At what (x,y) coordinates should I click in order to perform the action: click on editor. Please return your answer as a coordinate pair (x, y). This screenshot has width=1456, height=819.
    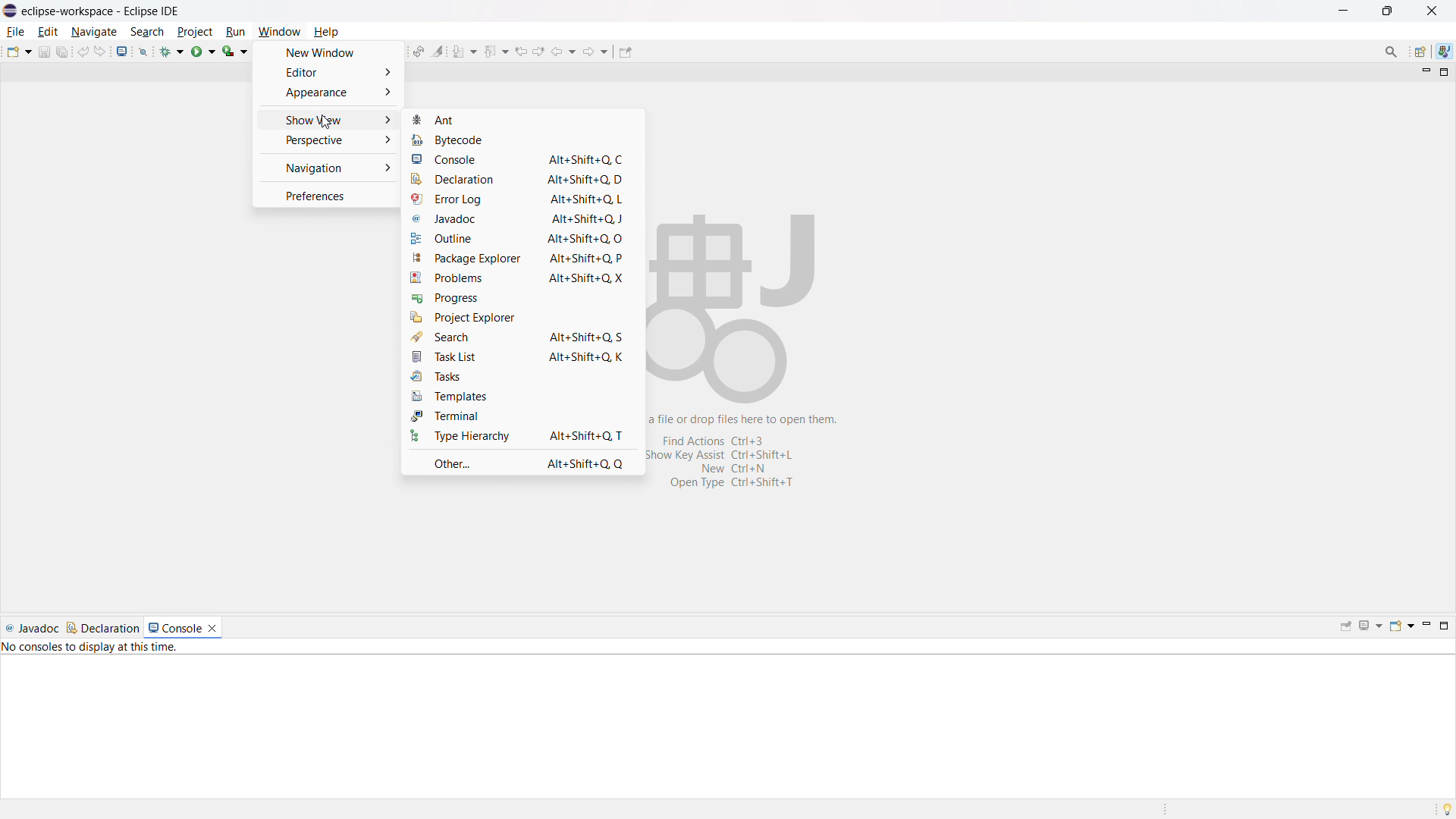
    Looking at the image, I should click on (328, 72).